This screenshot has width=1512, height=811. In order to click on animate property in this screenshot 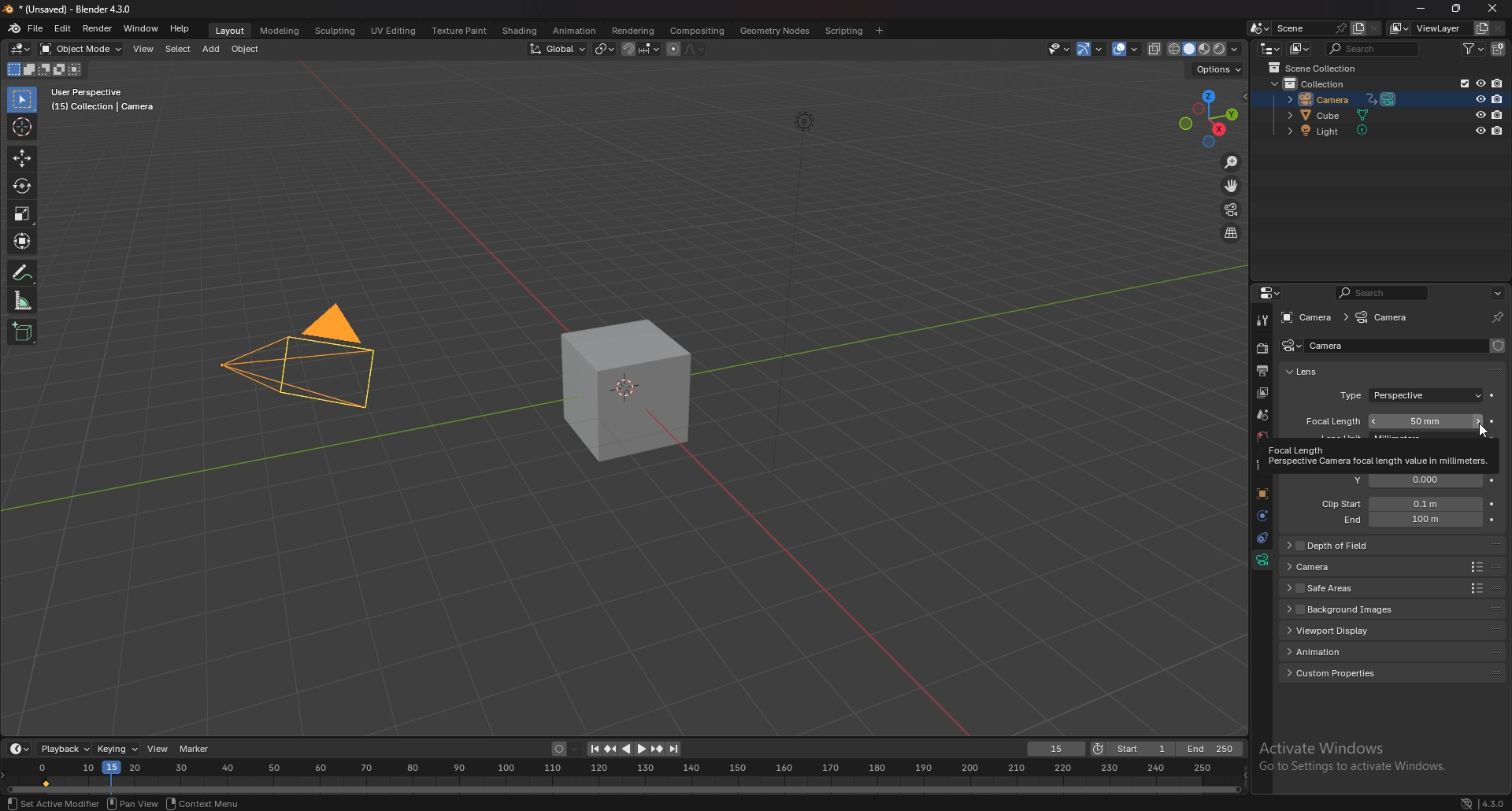, I will do `click(1492, 519)`.